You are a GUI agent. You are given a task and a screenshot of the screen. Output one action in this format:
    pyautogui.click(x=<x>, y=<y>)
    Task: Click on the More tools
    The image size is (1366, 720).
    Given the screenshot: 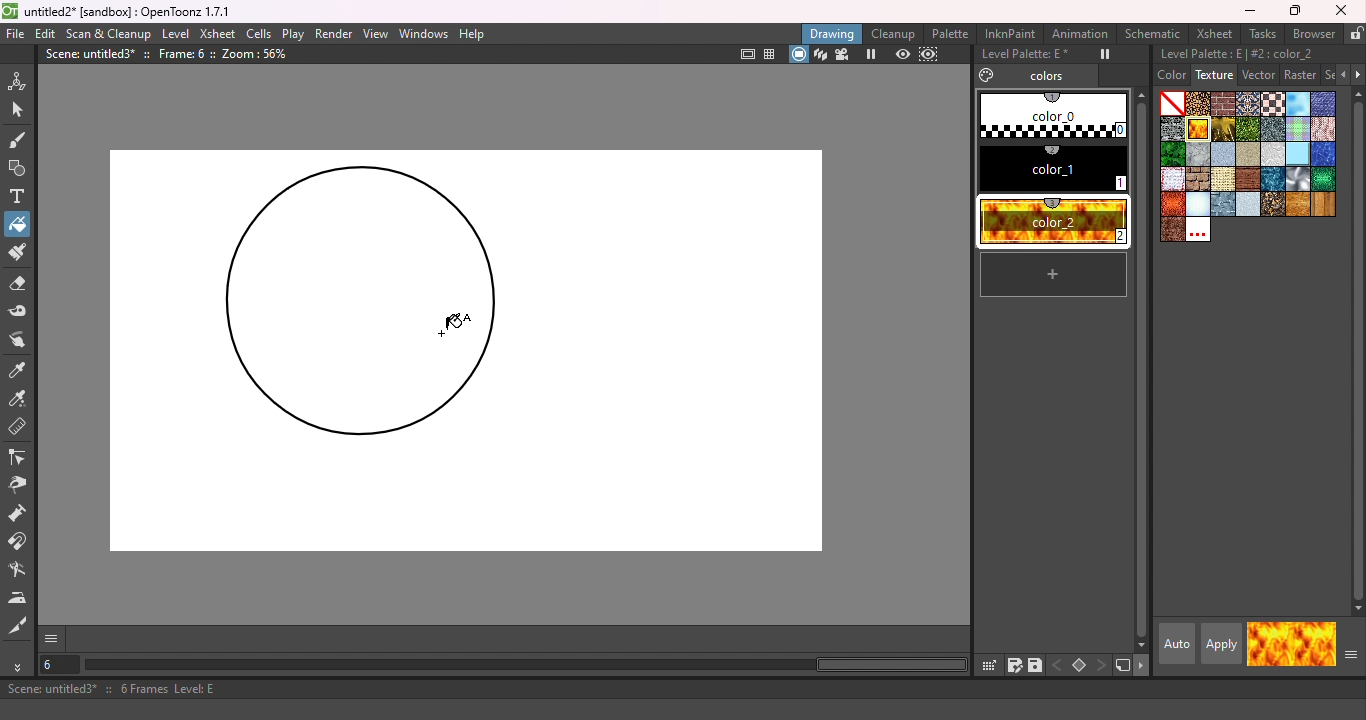 What is the action you would take?
    pyautogui.click(x=20, y=667)
    